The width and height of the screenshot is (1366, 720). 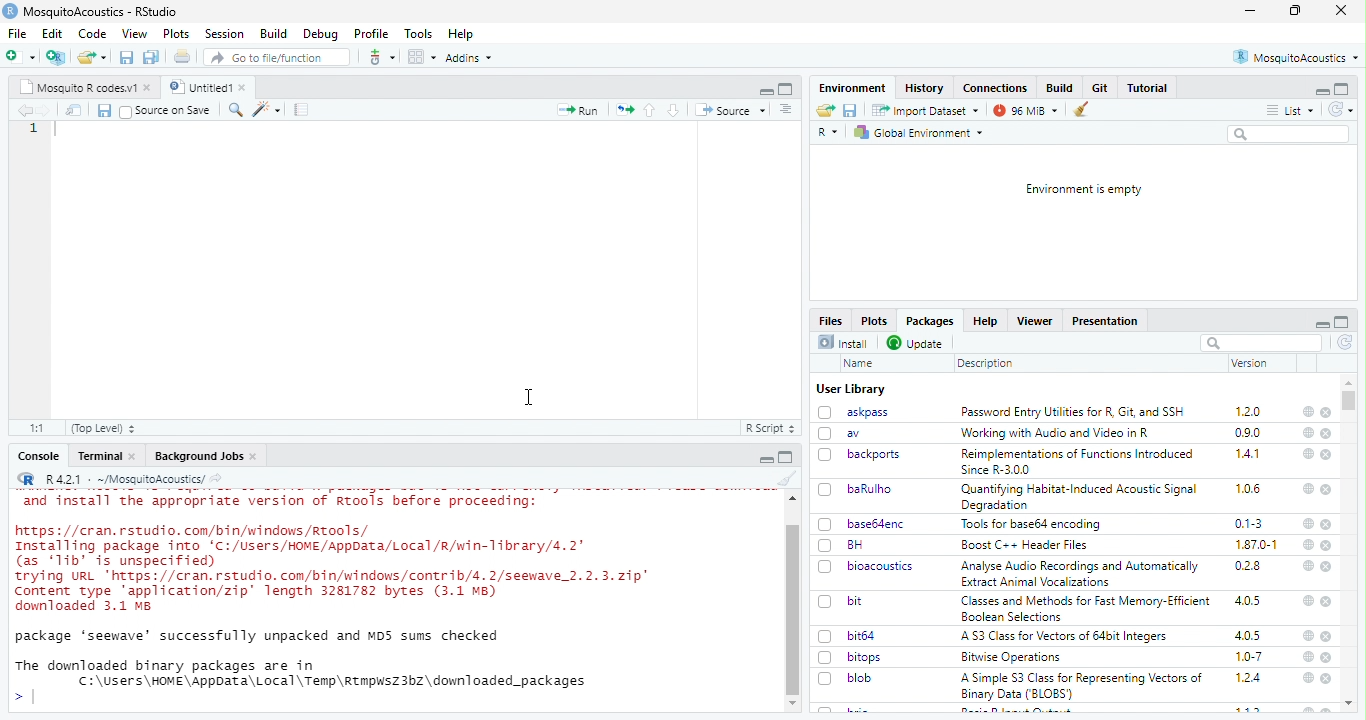 I want to click on >, so click(x=17, y=697).